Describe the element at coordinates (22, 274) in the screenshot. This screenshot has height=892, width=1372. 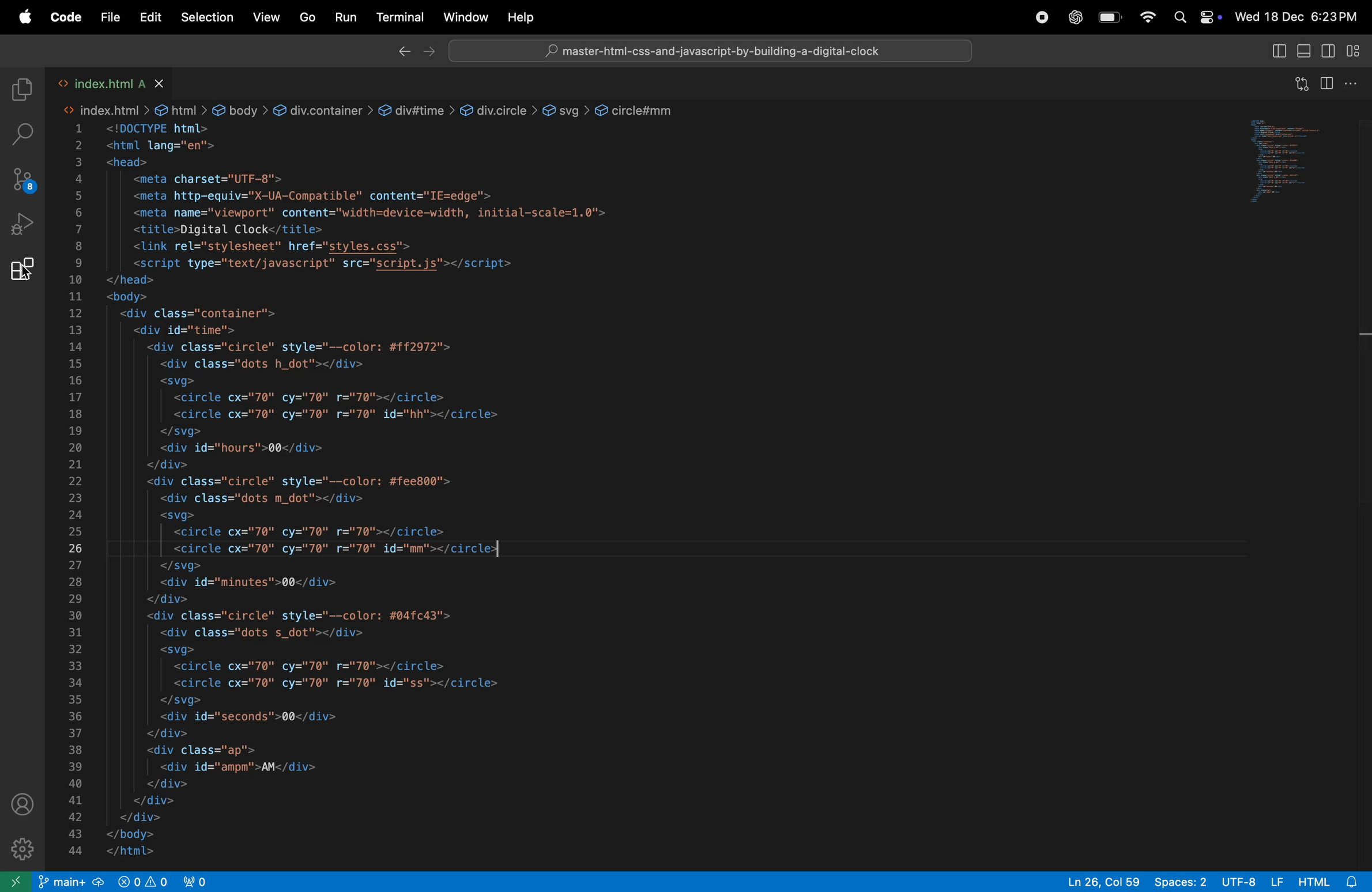
I see `extensions` at that location.